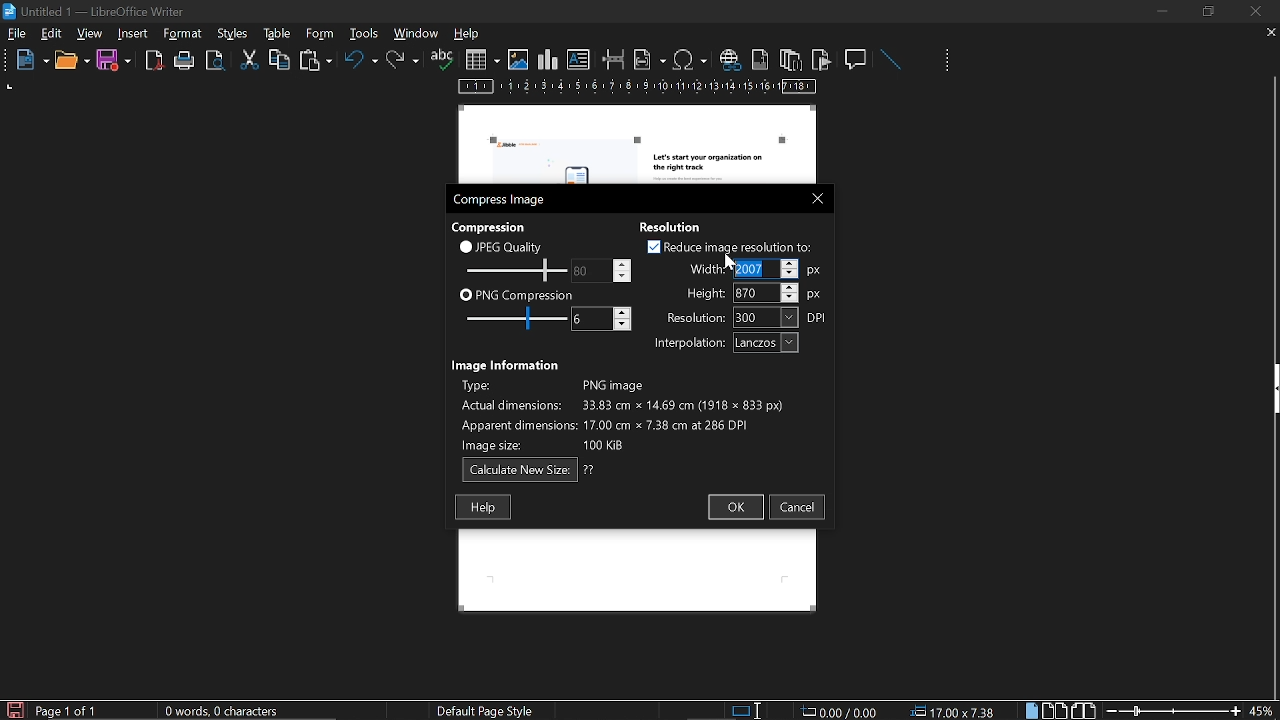 Image resolution: width=1280 pixels, height=720 pixels. What do you see at coordinates (91, 33) in the screenshot?
I see `view` at bounding box center [91, 33].